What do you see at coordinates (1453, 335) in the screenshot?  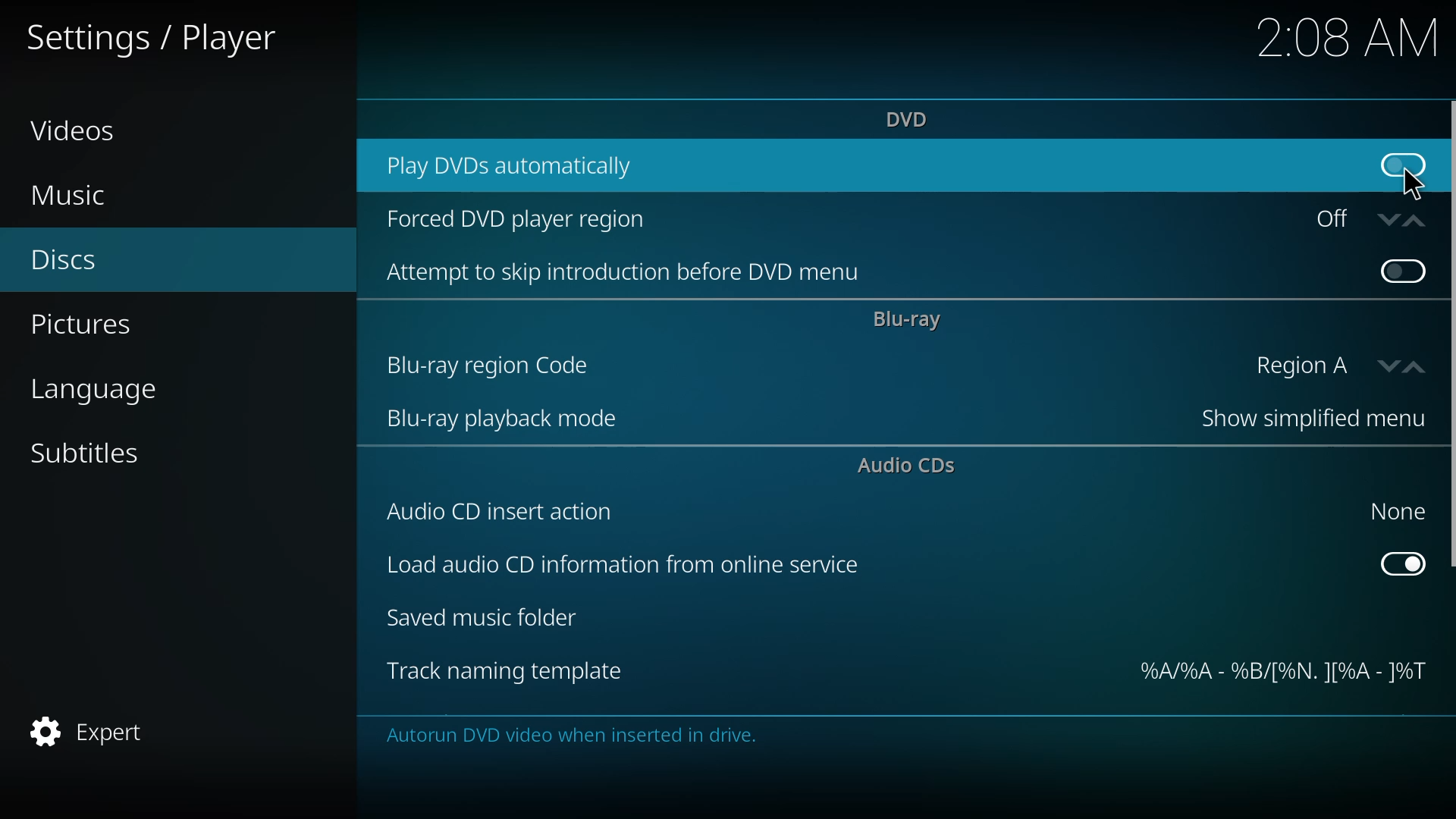 I see `scroll bar` at bounding box center [1453, 335].